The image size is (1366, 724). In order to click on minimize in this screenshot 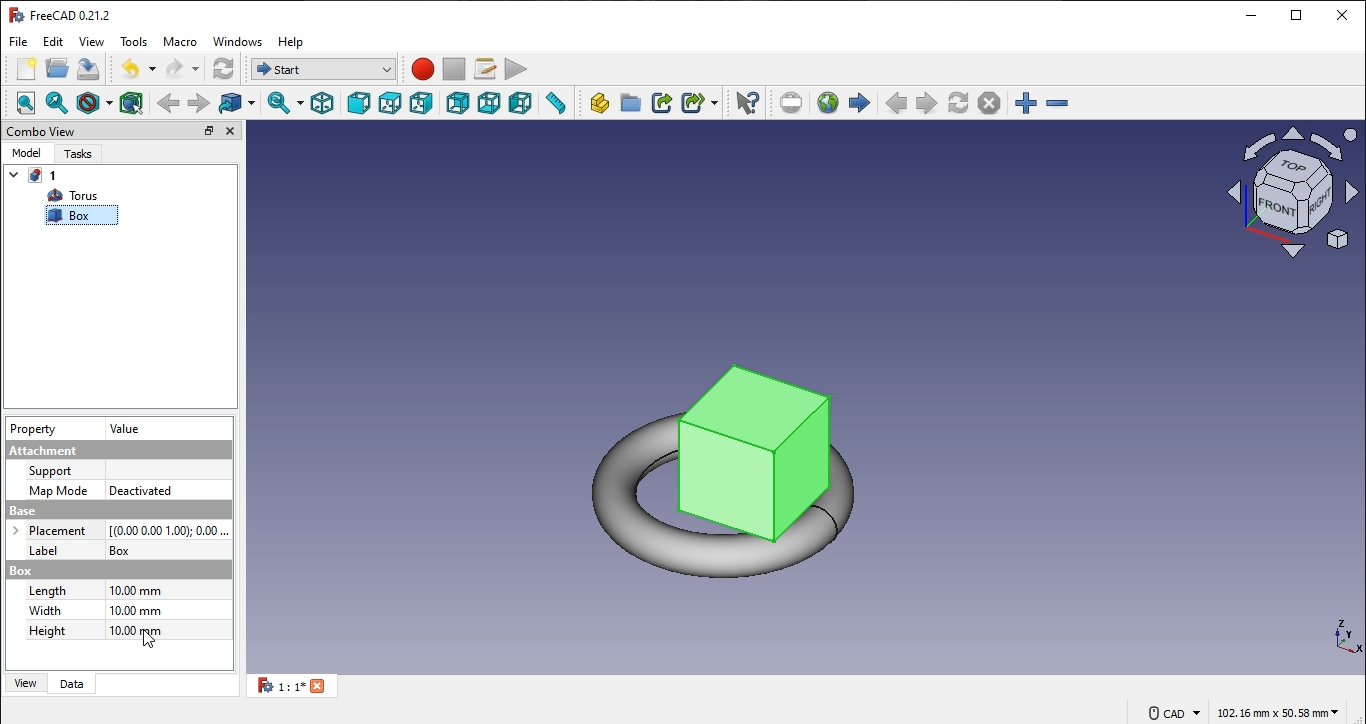, I will do `click(1252, 14)`.